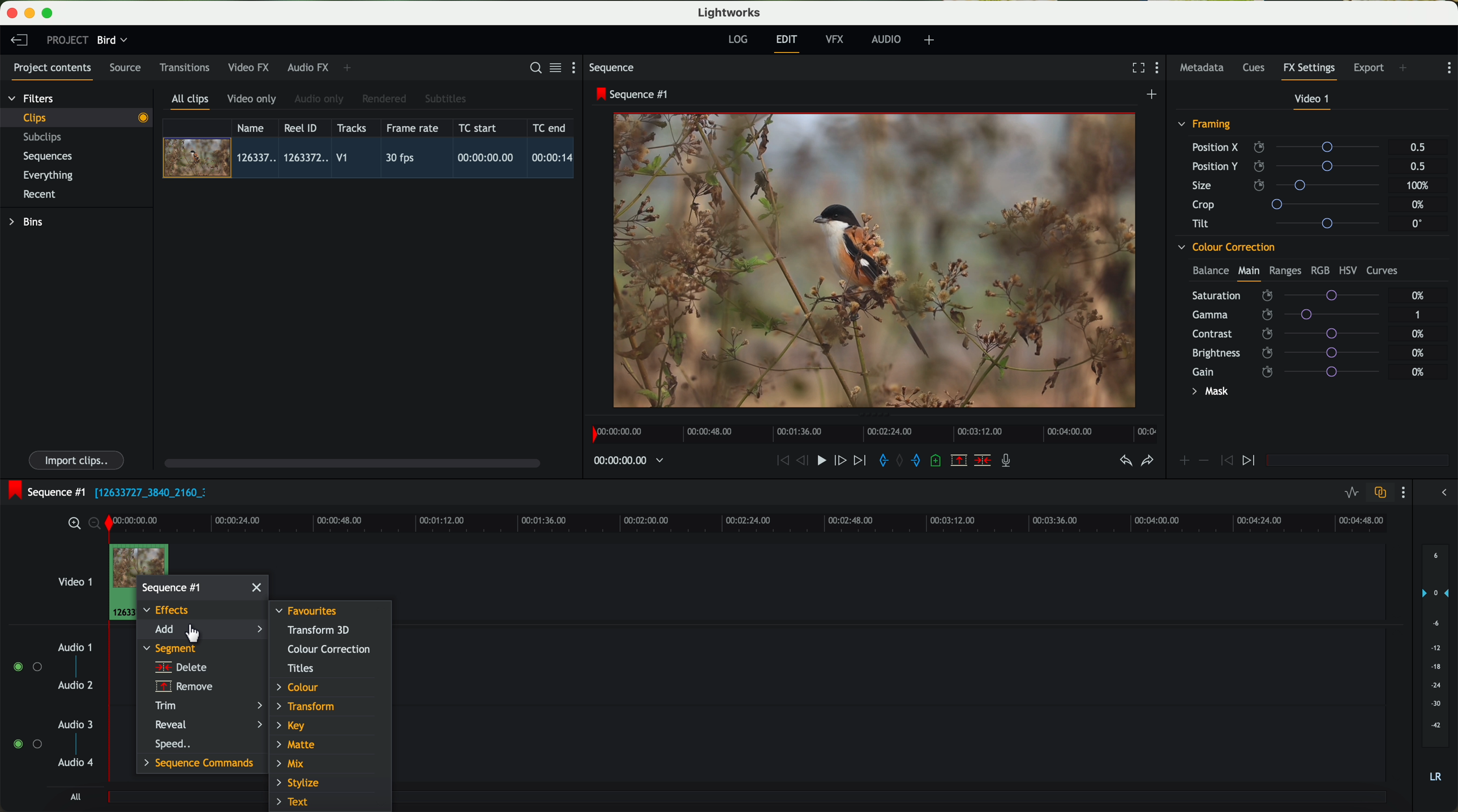 This screenshot has width=1458, height=812. Describe the element at coordinates (1440, 493) in the screenshot. I see `show/hide the full audio mix` at that location.